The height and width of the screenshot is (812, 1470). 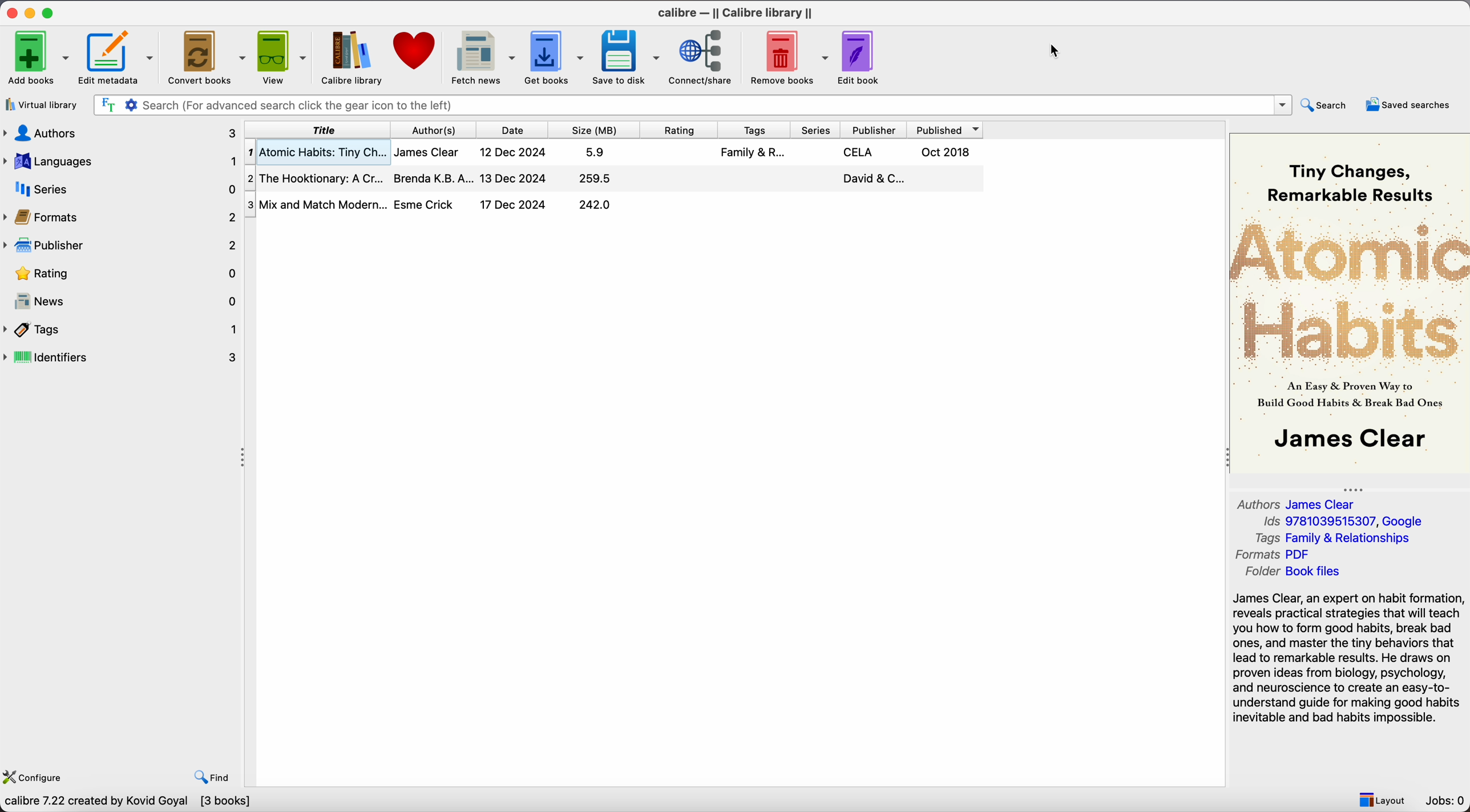 I want to click on 12 Dec 2024, so click(x=514, y=152).